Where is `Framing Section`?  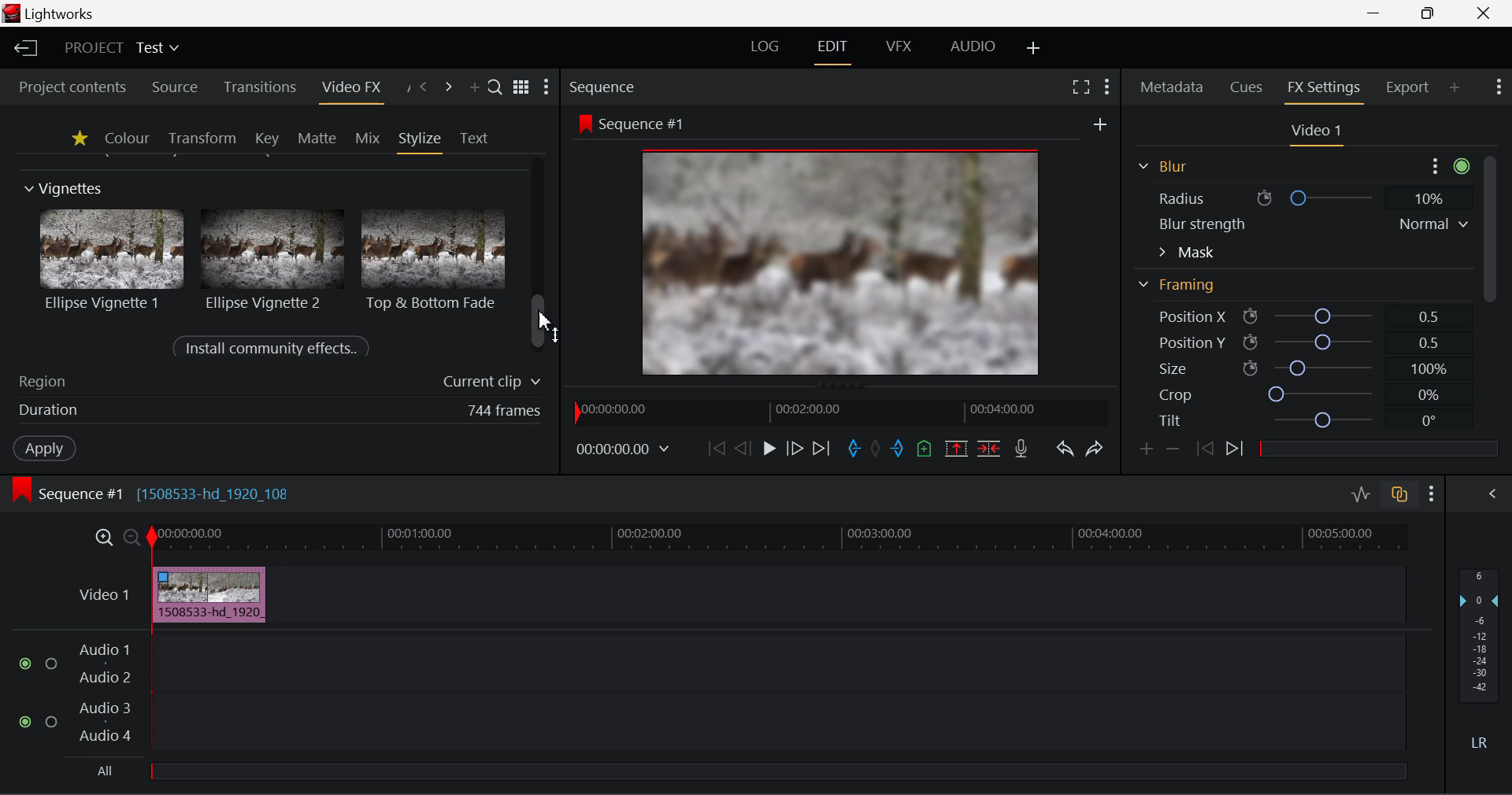
Framing Section is located at coordinates (1182, 290).